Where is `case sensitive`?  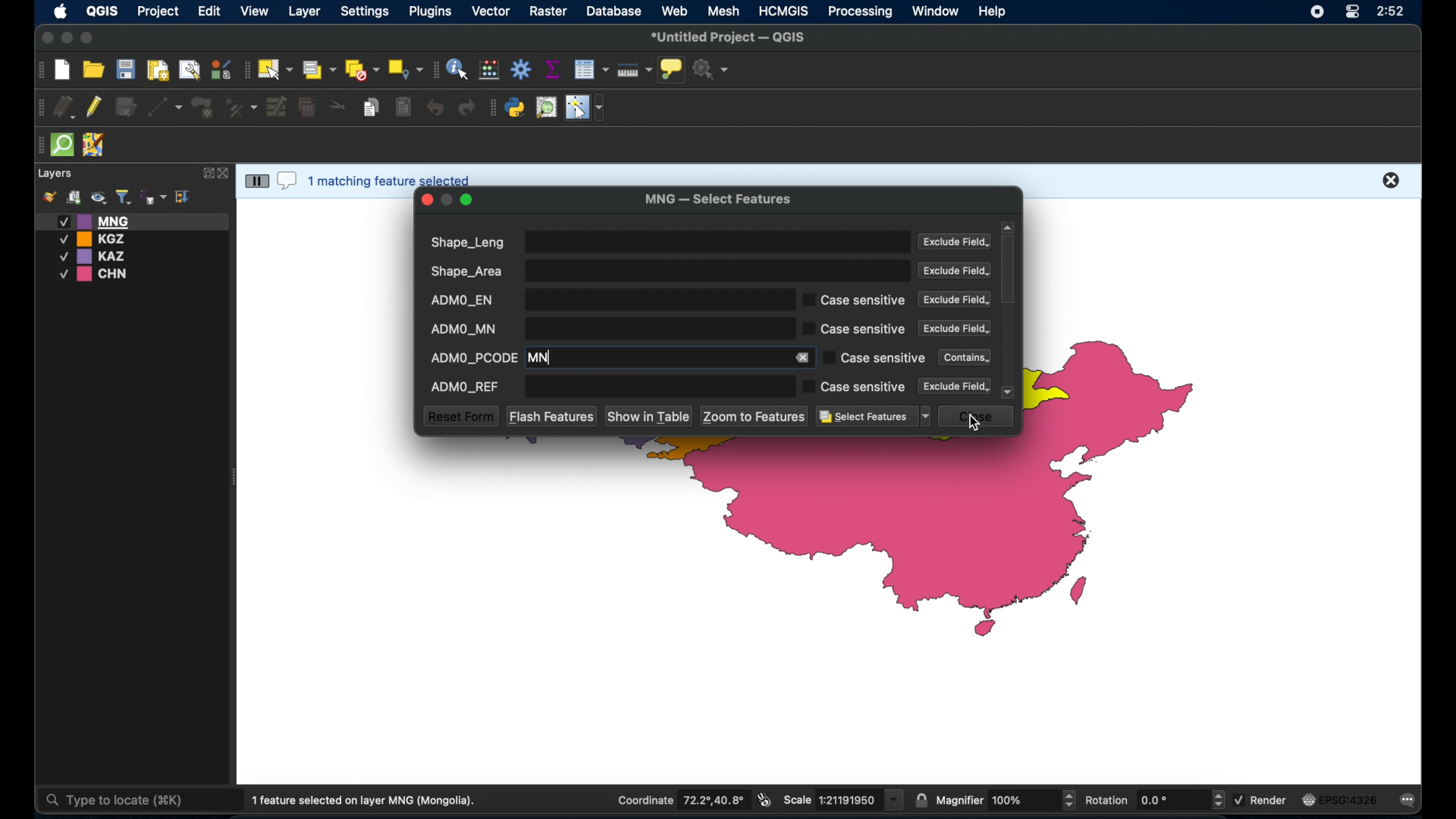 case sensitive is located at coordinates (855, 330).